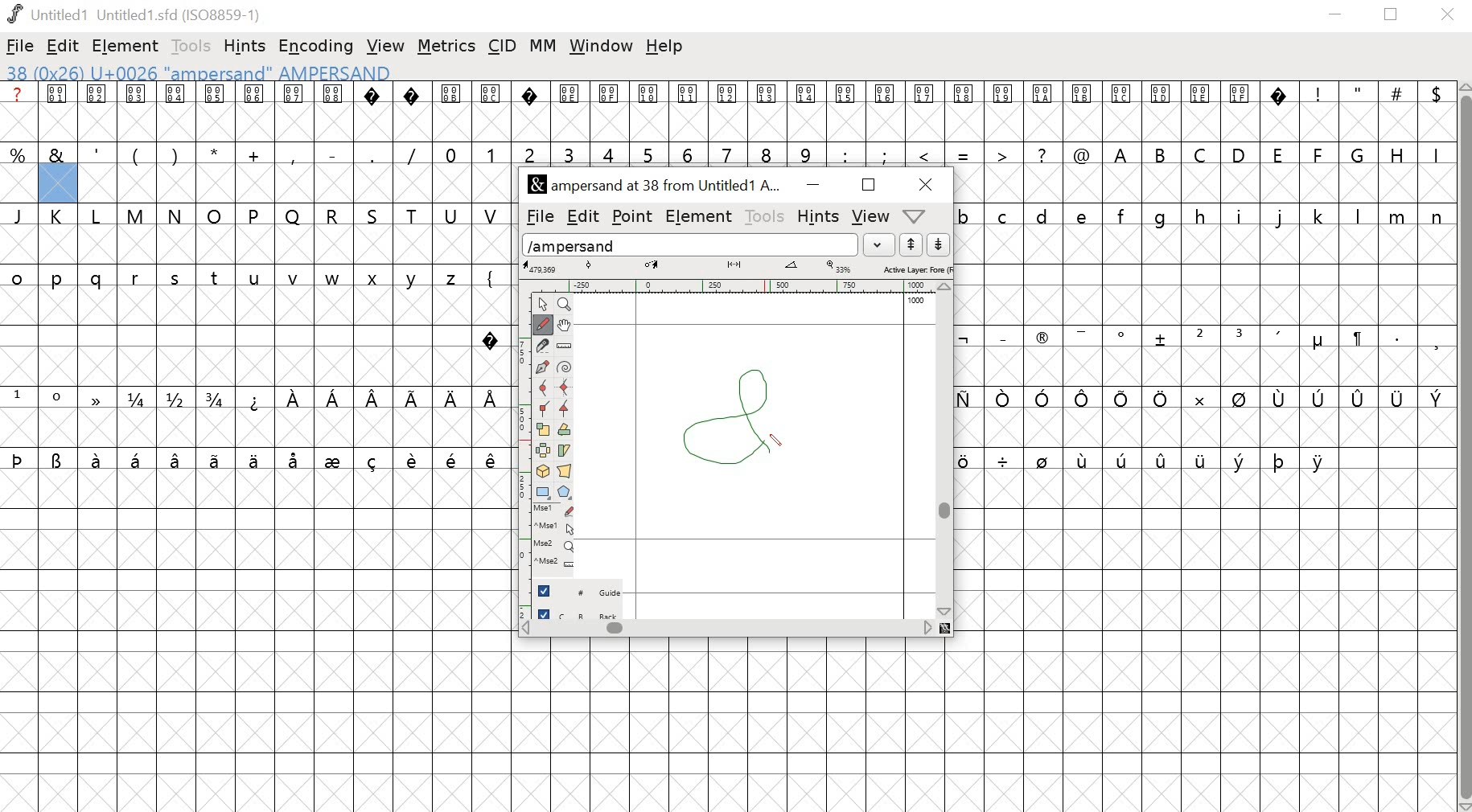 The height and width of the screenshot is (812, 1472). Describe the element at coordinates (450, 111) in the screenshot. I see `000B` at that location.